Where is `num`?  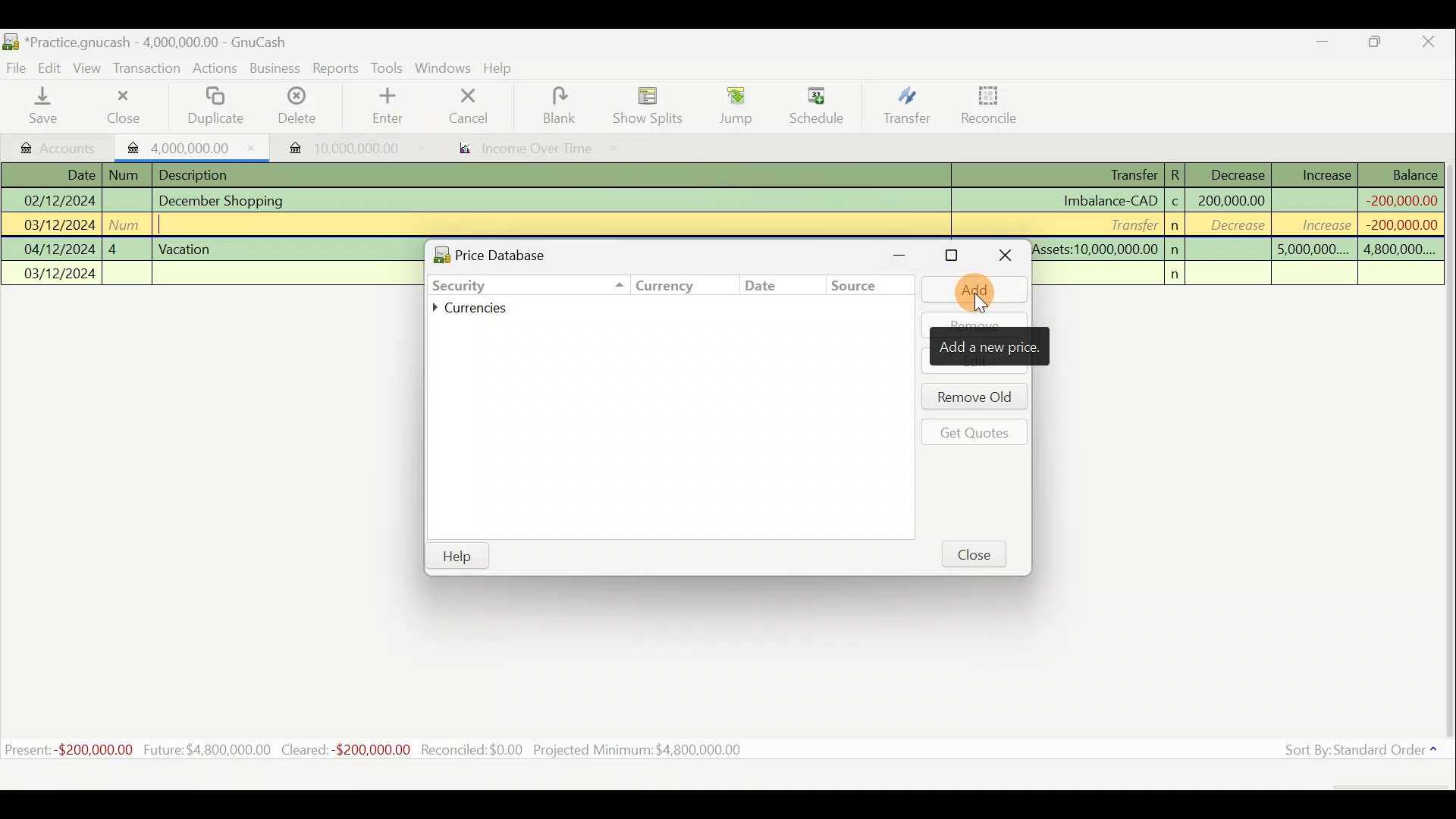
num is located at coordinates (127, 175).